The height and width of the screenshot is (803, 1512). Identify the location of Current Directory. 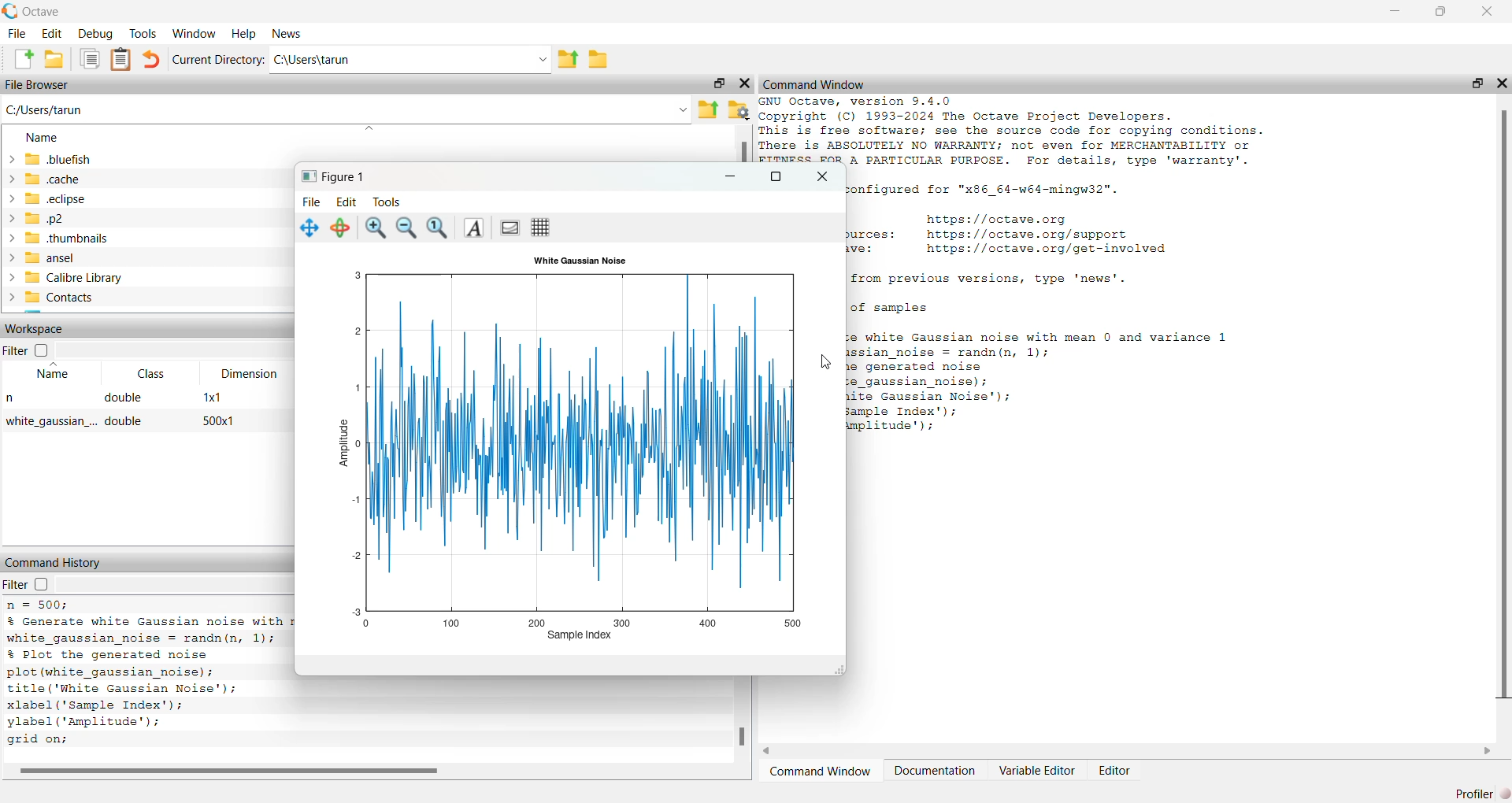
(217, 58).